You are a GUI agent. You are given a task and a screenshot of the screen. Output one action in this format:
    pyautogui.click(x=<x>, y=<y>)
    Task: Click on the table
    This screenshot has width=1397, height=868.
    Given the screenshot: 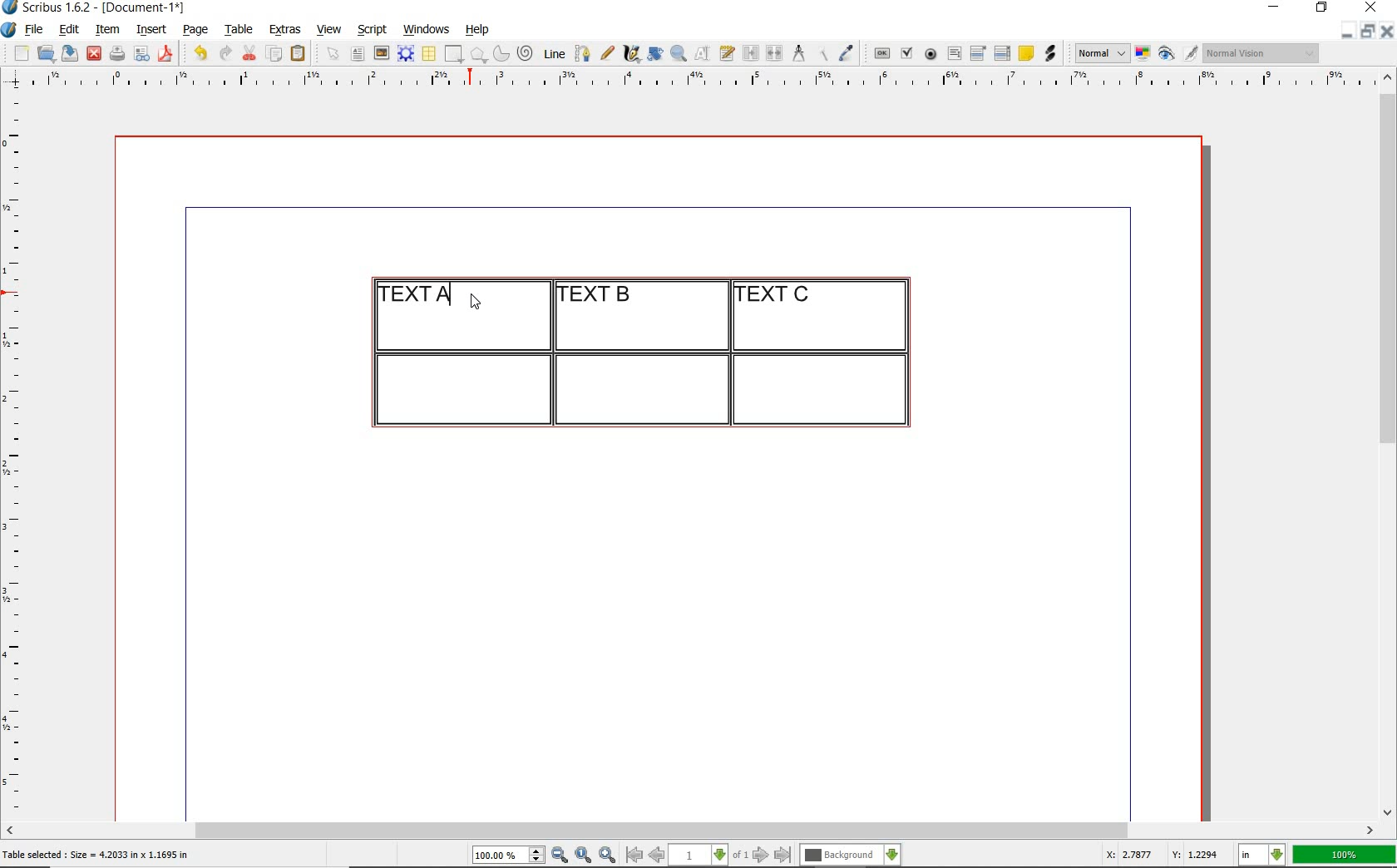 What is the action you would take?
    pyautogui.click(x=430, y=54)
    